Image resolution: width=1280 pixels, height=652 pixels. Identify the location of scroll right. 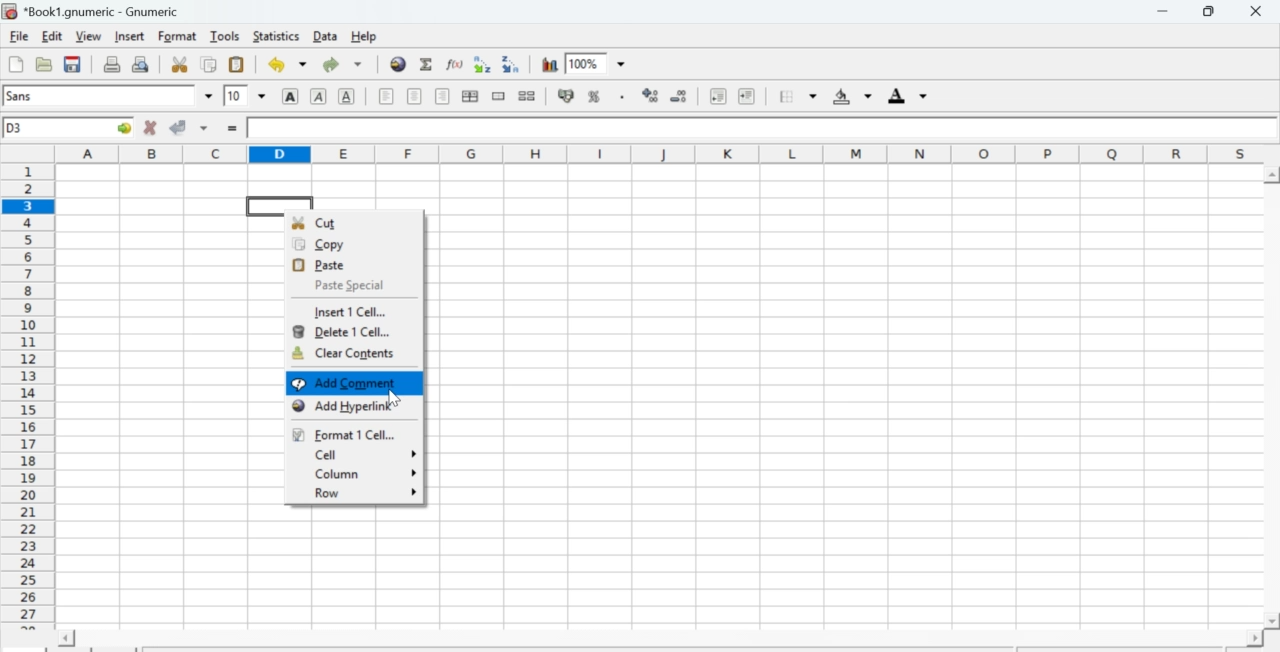
(1254, 638).